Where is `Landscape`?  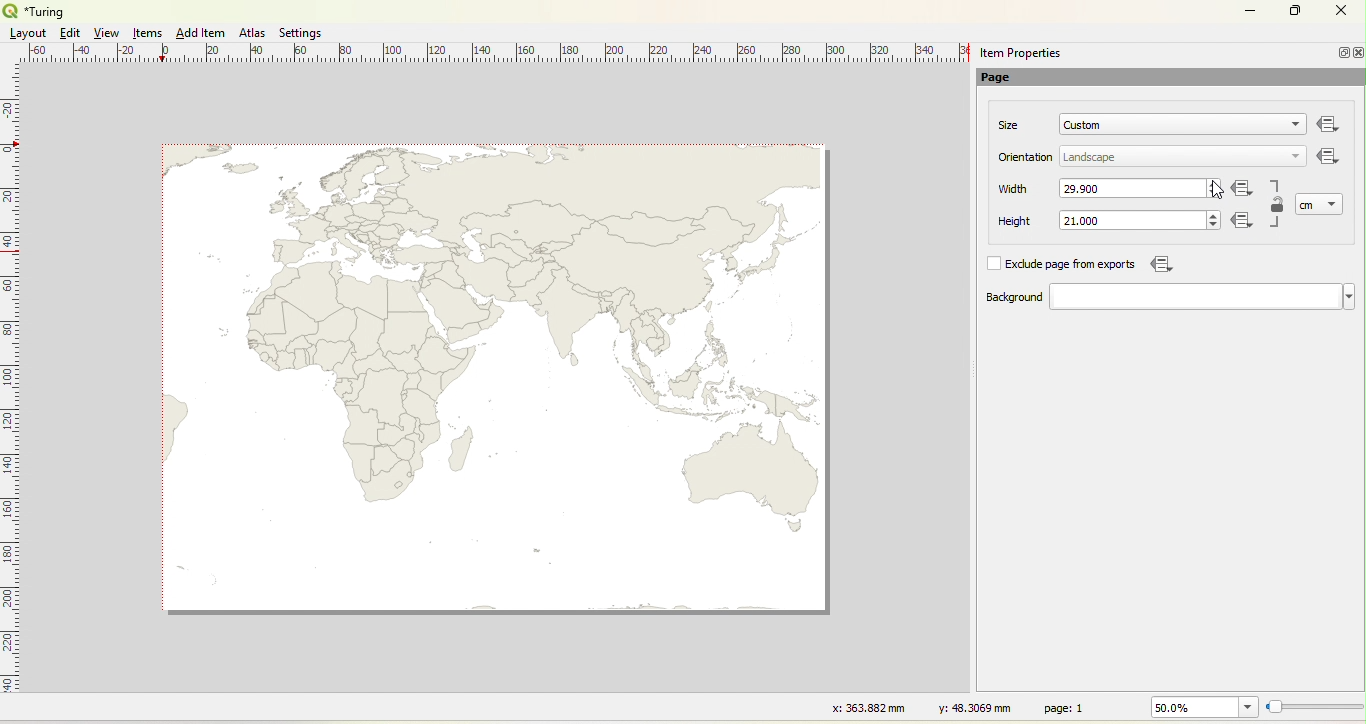 Landscape is located at coordinates (1090, 158).